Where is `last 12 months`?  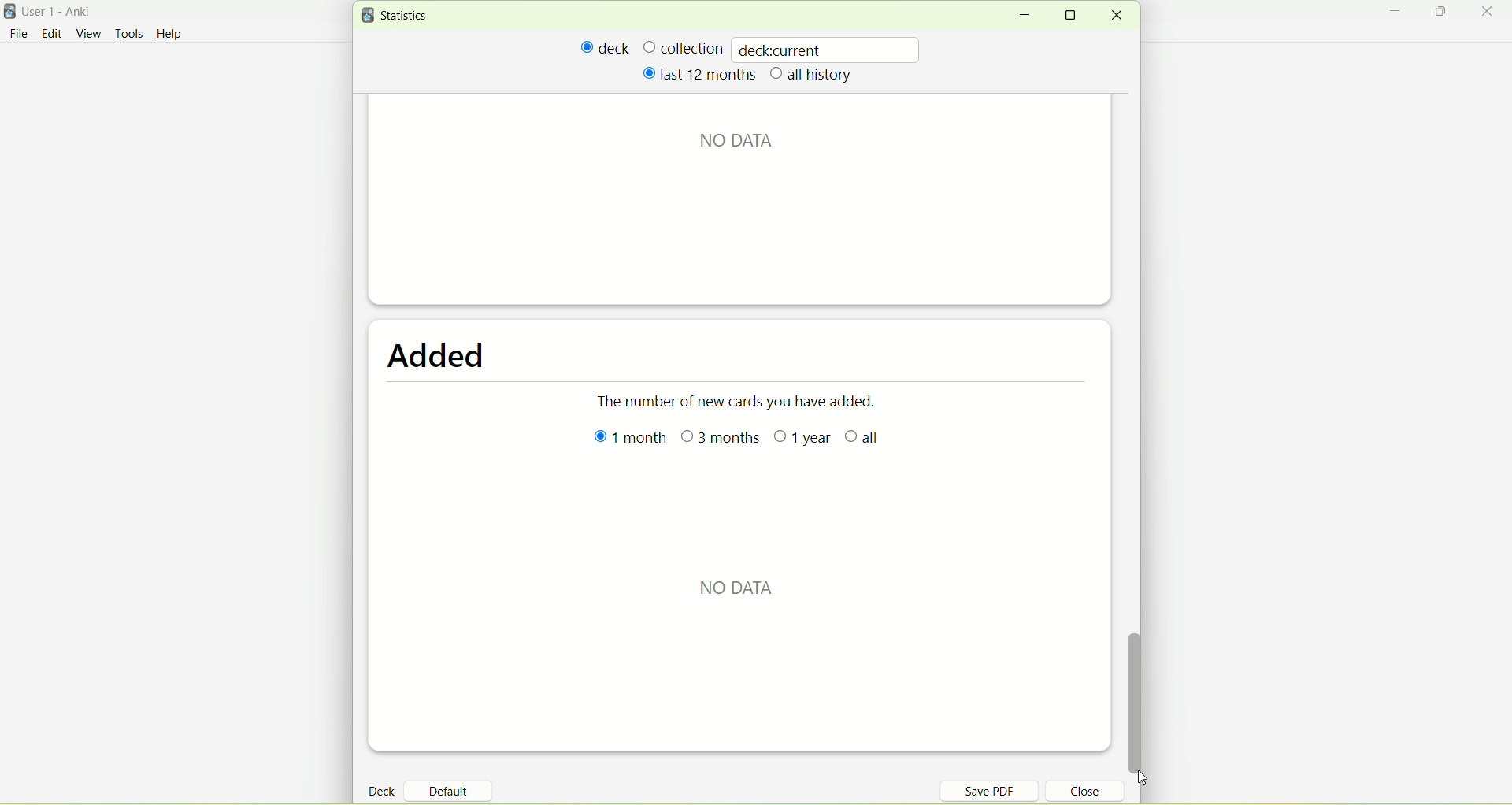 last 12 months is located at coordinates (698, 73).